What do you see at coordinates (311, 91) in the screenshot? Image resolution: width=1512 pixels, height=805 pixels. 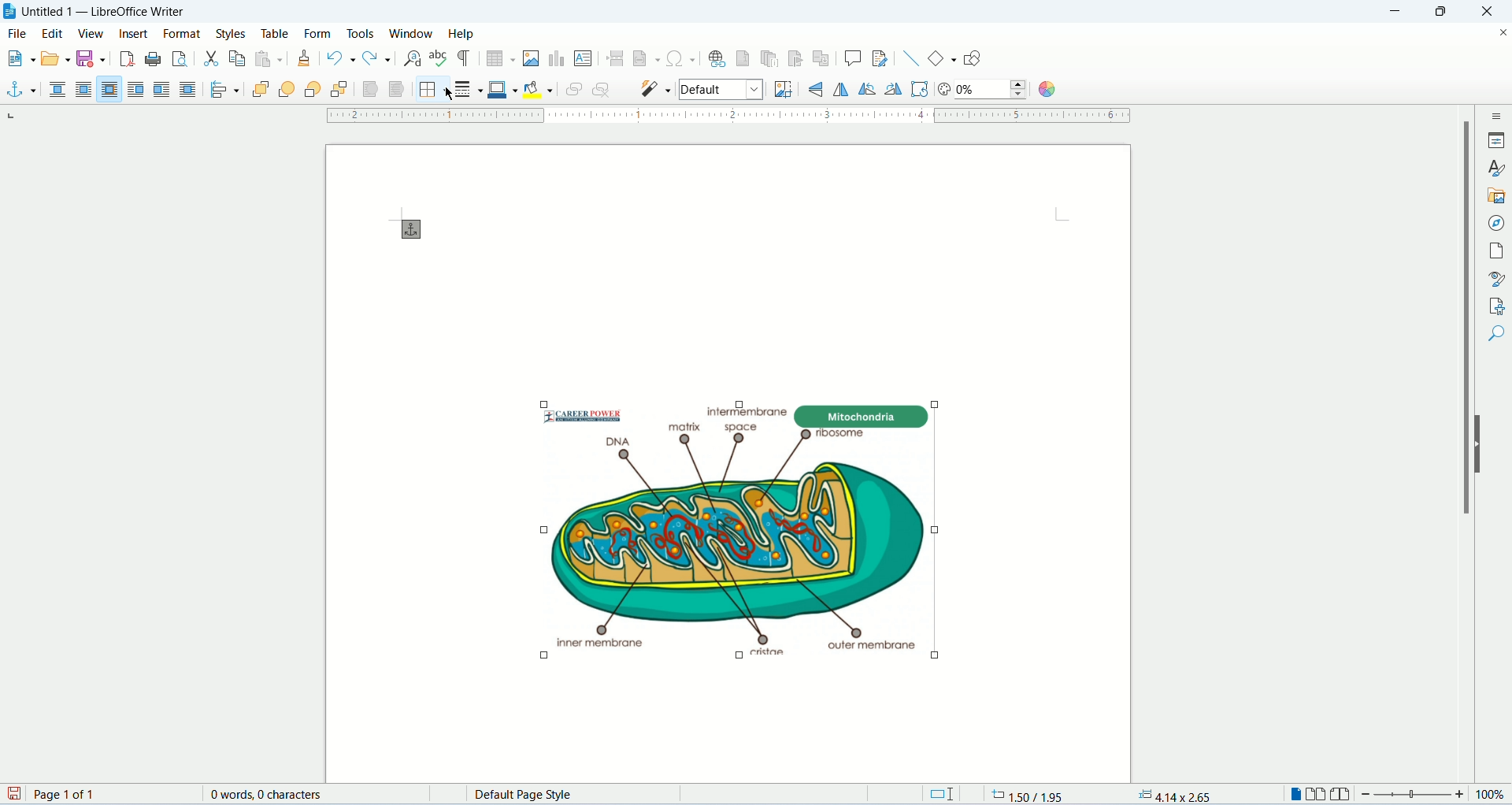 I see `back one` at bounding box center [311, 91].